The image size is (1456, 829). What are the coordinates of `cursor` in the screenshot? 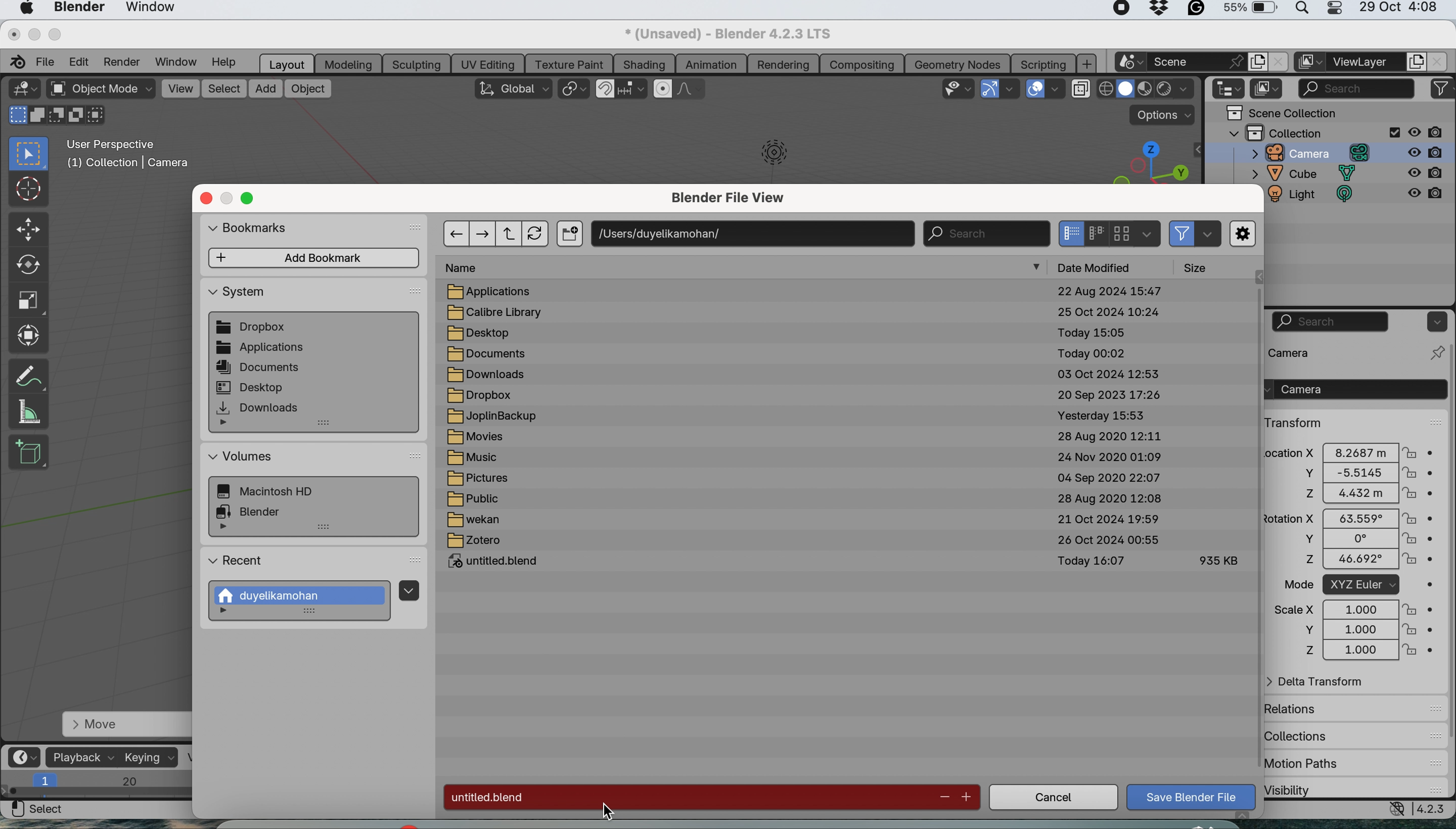 It's located at (27, 188).